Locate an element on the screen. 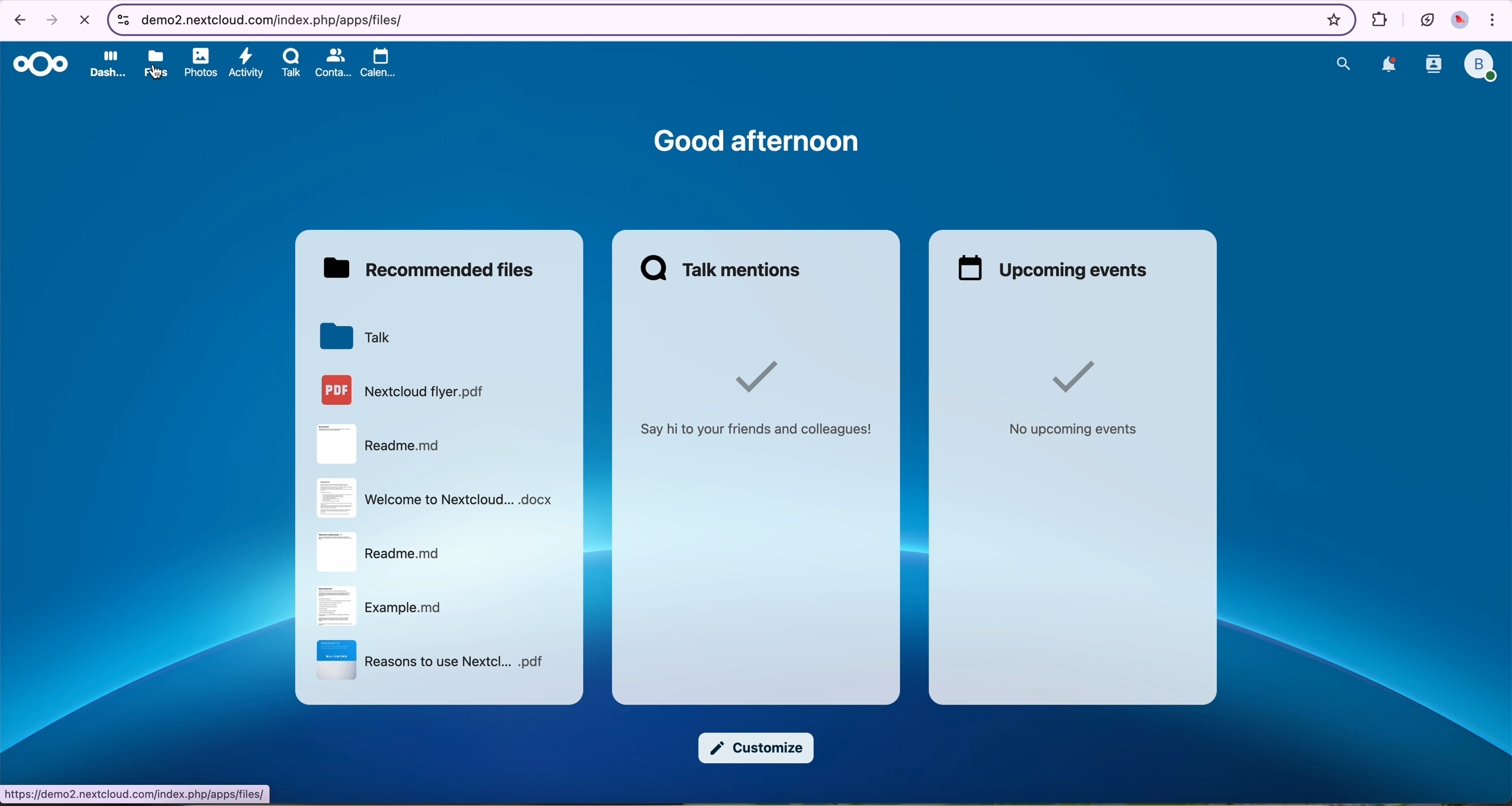  profile picture is located at coordinates (1462, 22).